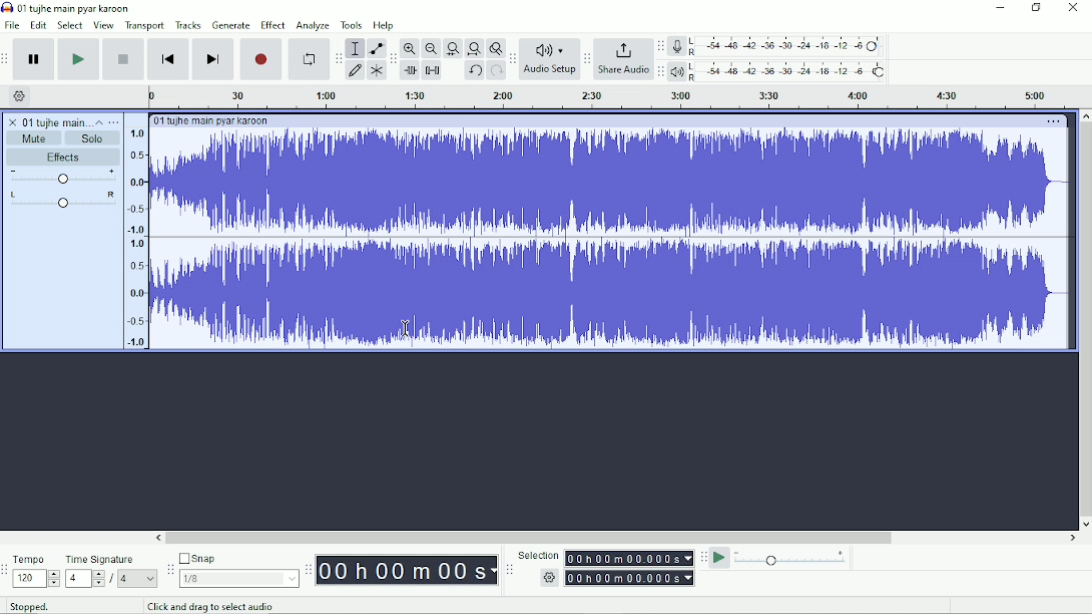  Describe the element at coordinates (351, 24) in the screenshot. I see `Tools` at that location.